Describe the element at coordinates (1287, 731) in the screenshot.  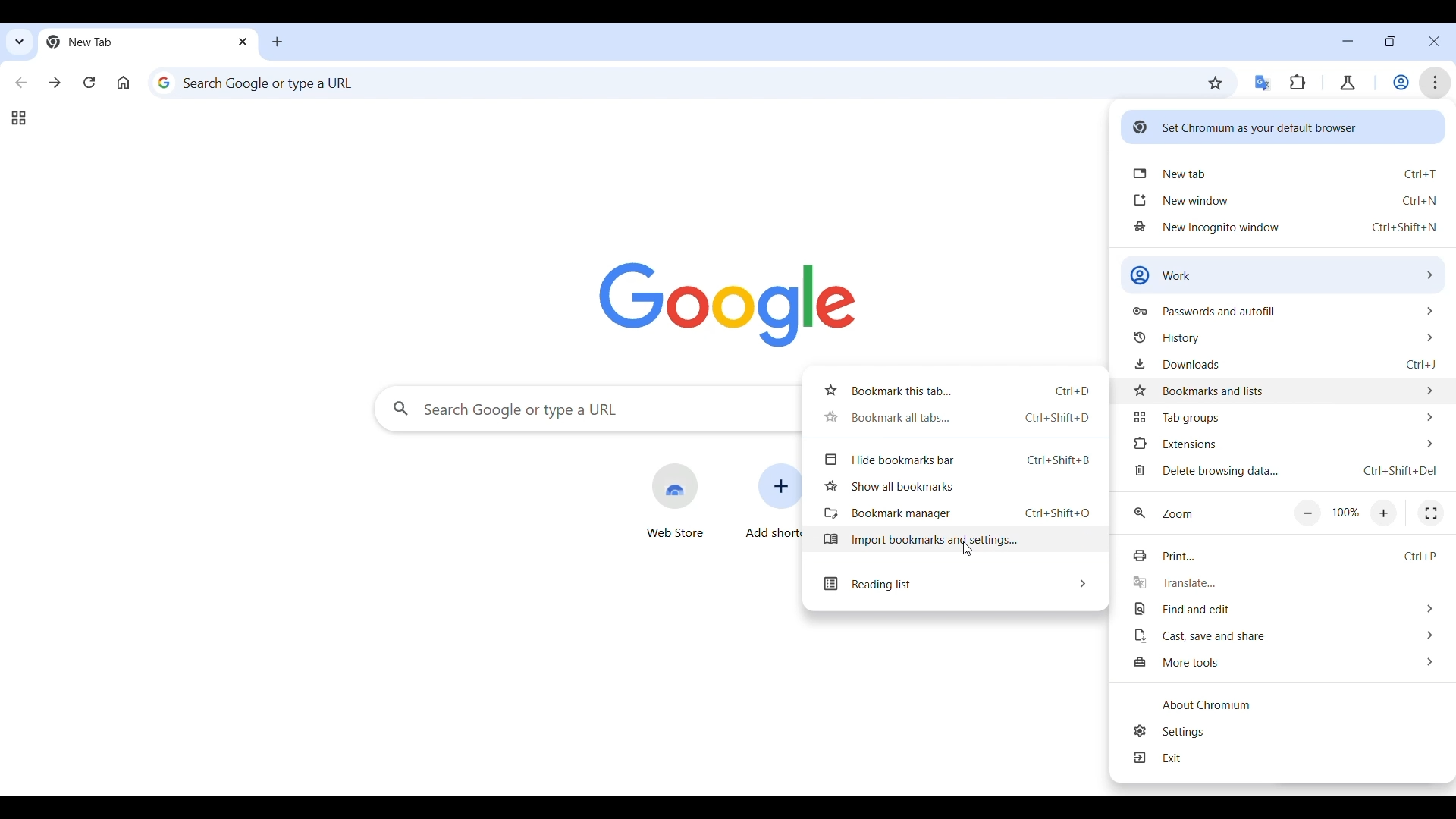
I see `Settings` at that location.